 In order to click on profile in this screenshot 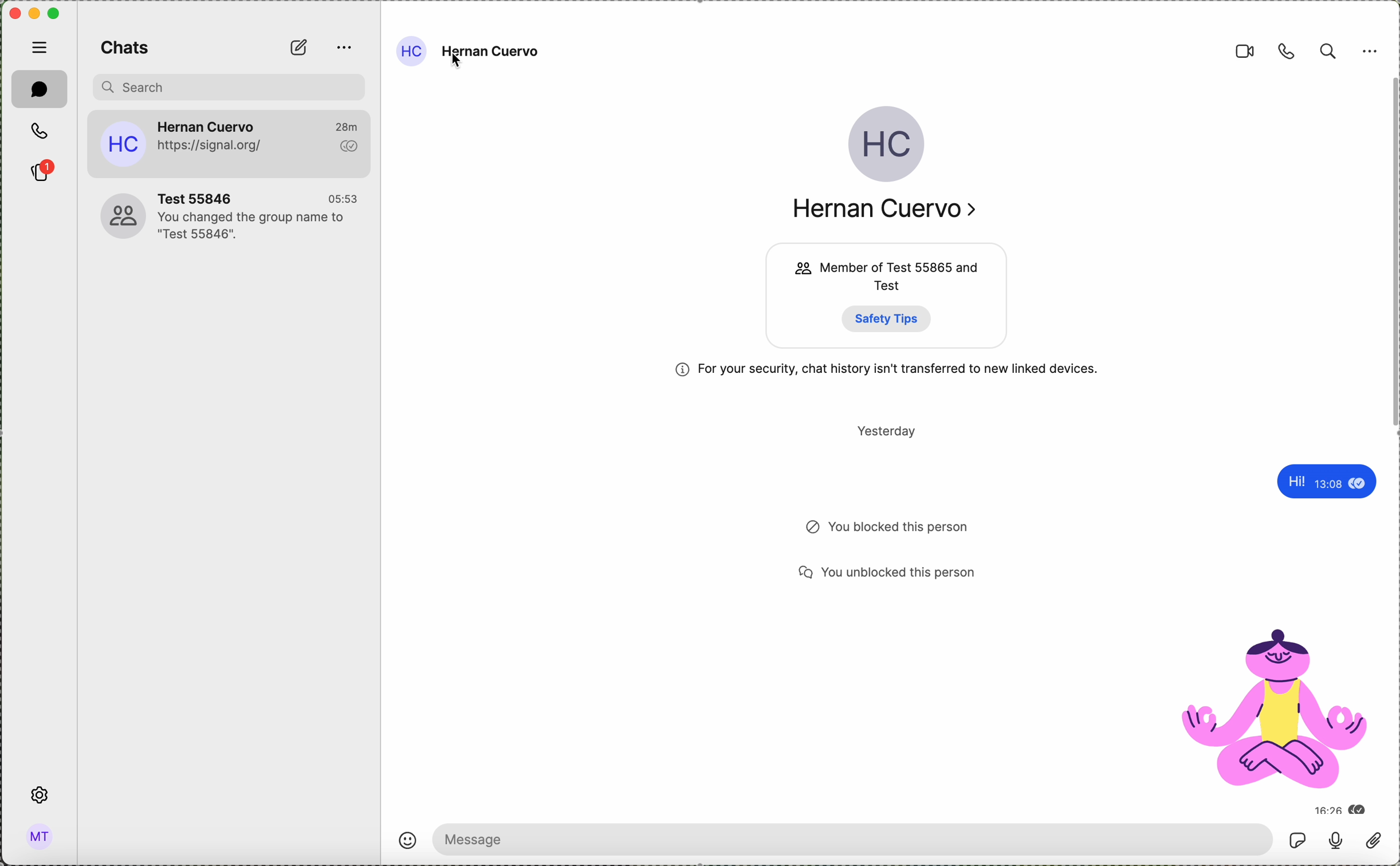, I will do `click(414, 53)`.